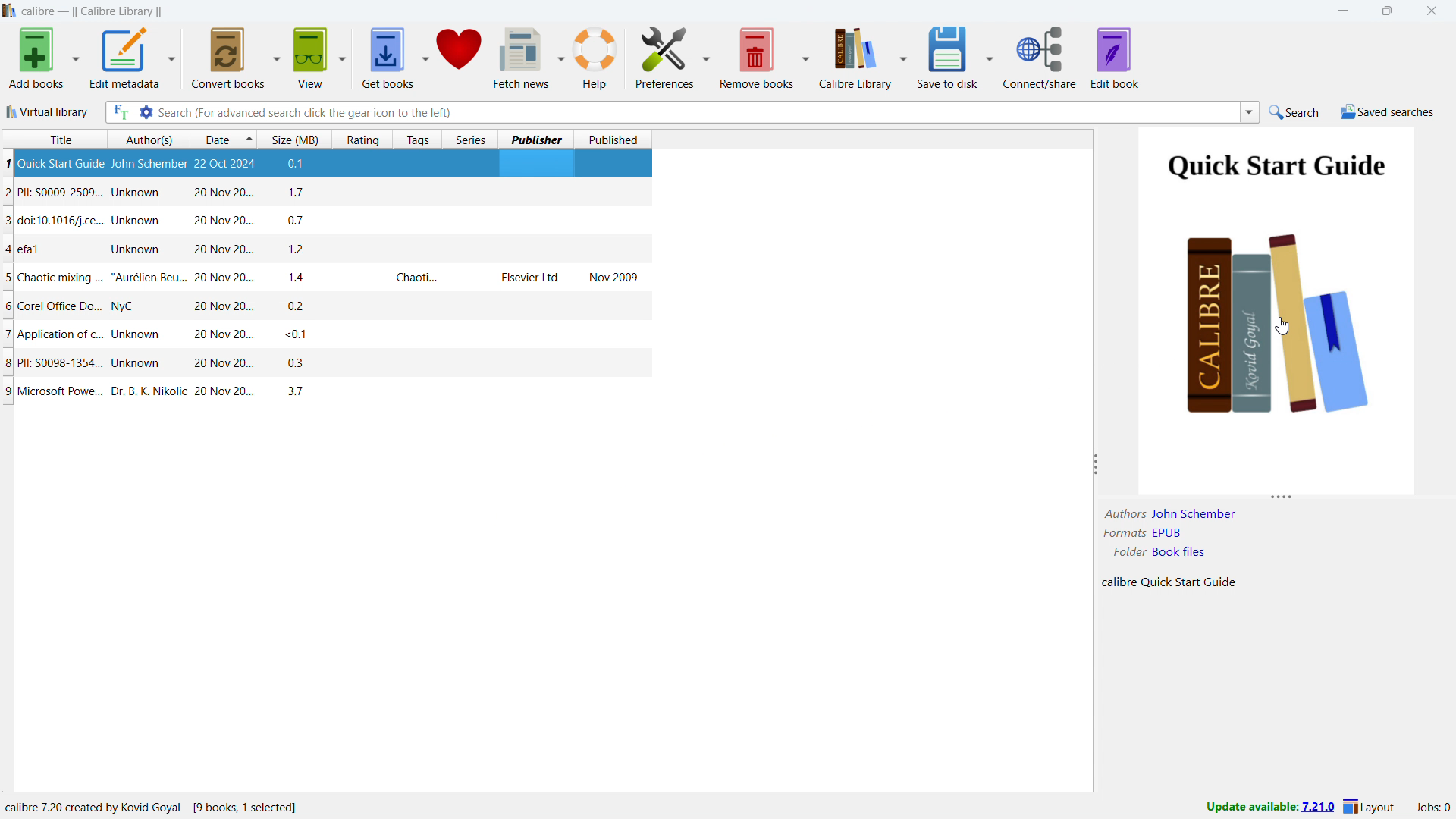  I want to click on 0.3, so click(294, 364).